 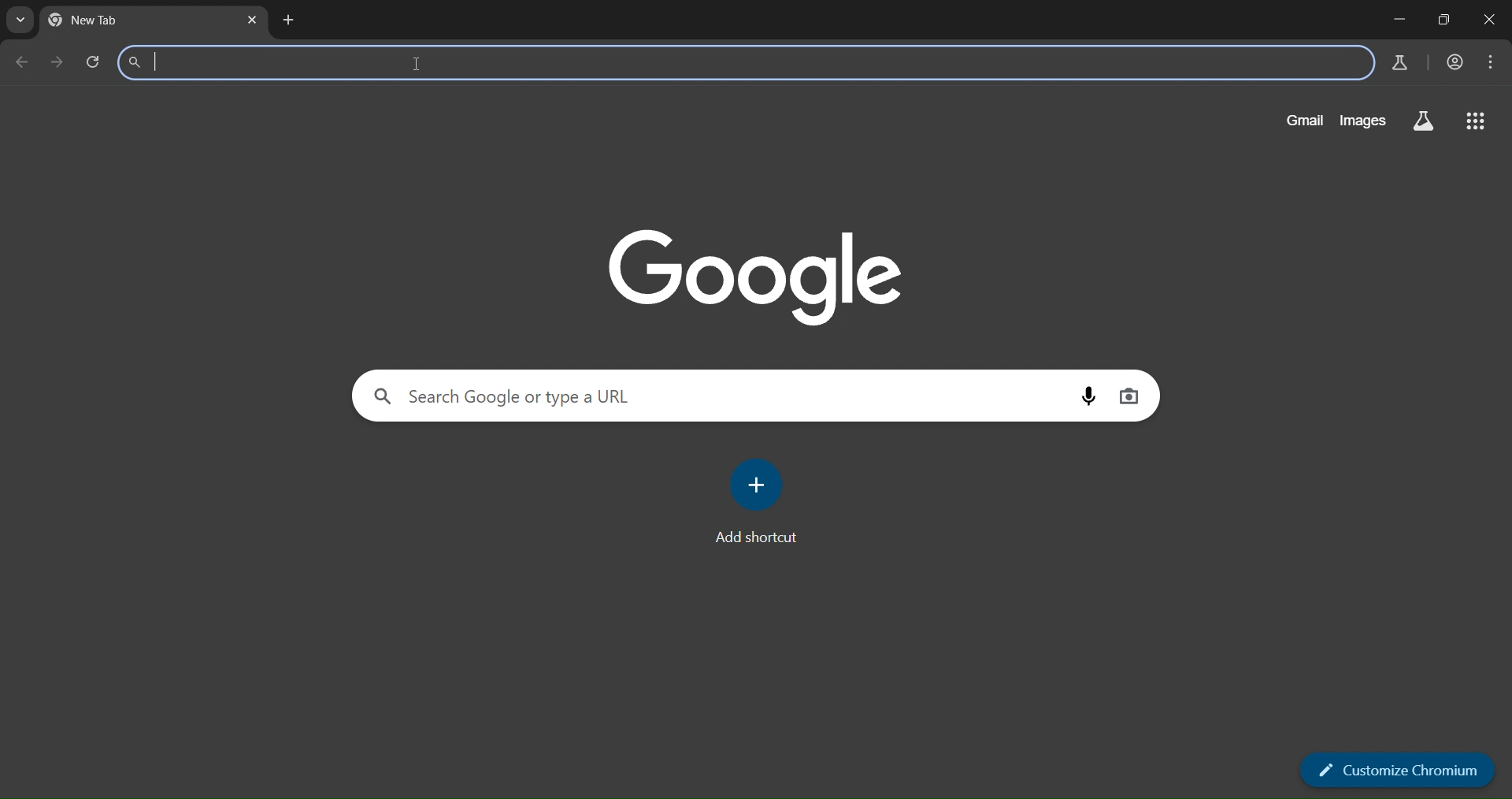 What do you see at coordinates (1446, 21) in the screenshot?
I see `restore down` at bounding box center [1446, 21].